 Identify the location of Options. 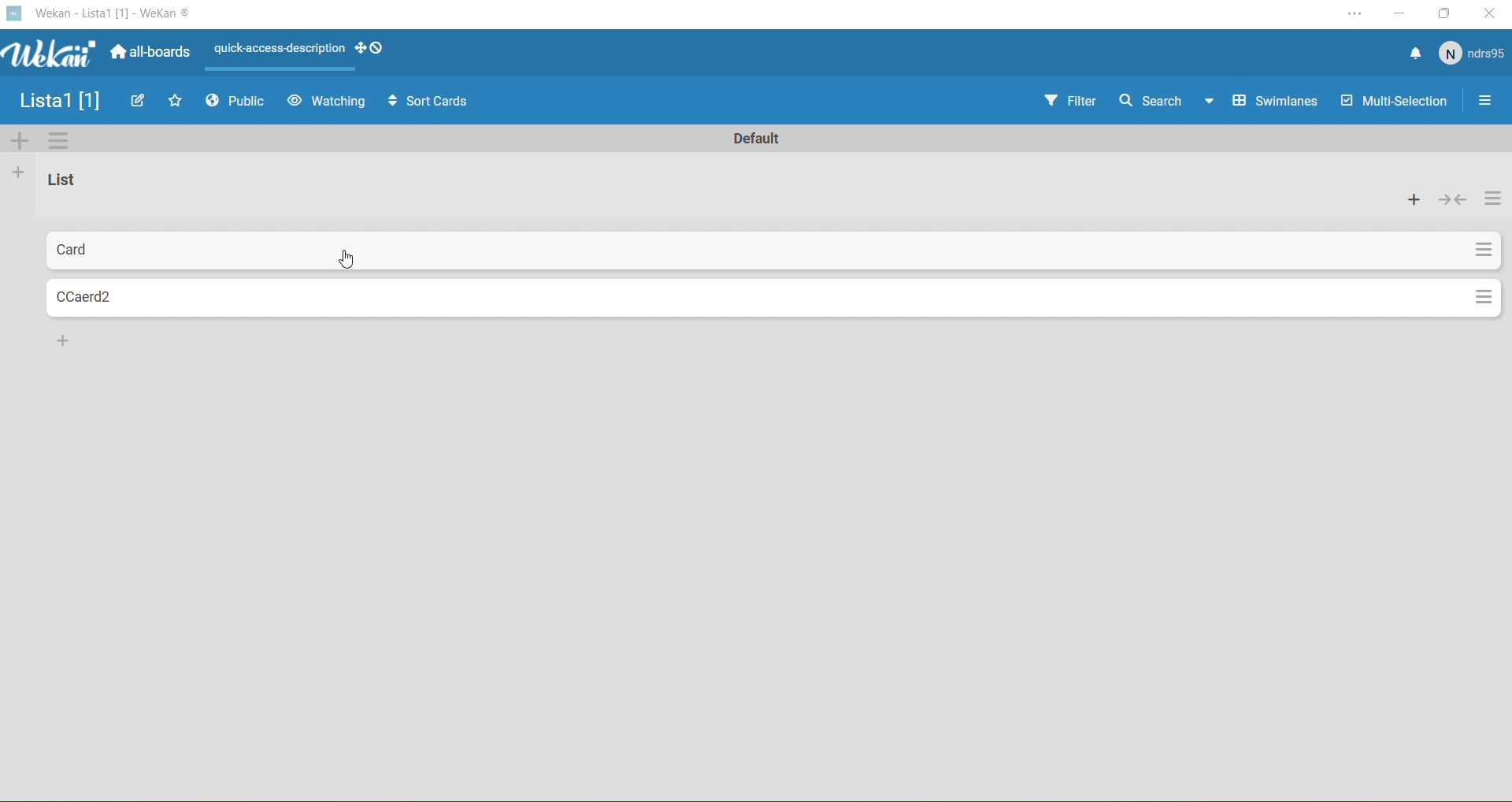
(1484, 102).